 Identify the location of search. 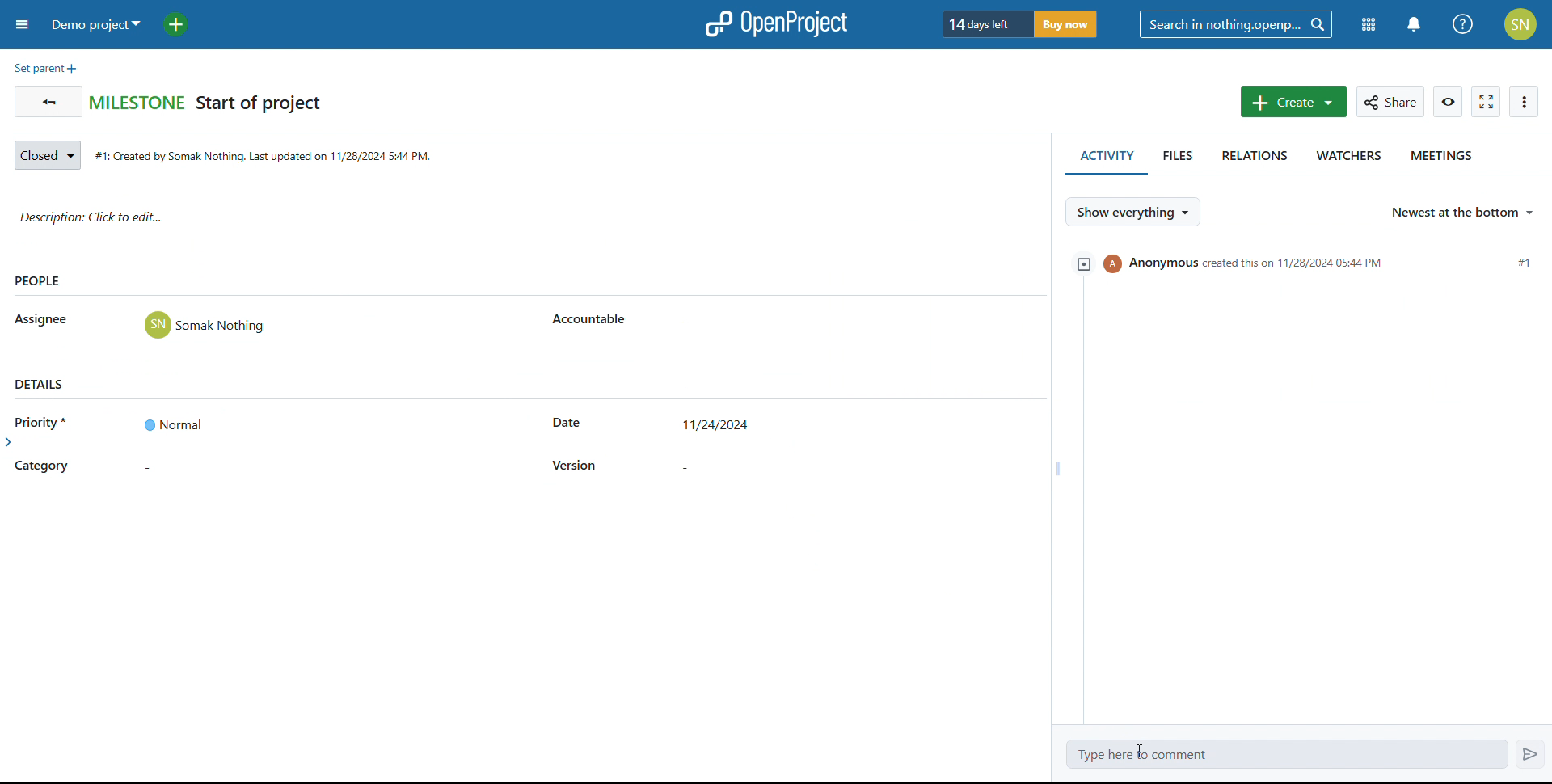
(1236, 24).